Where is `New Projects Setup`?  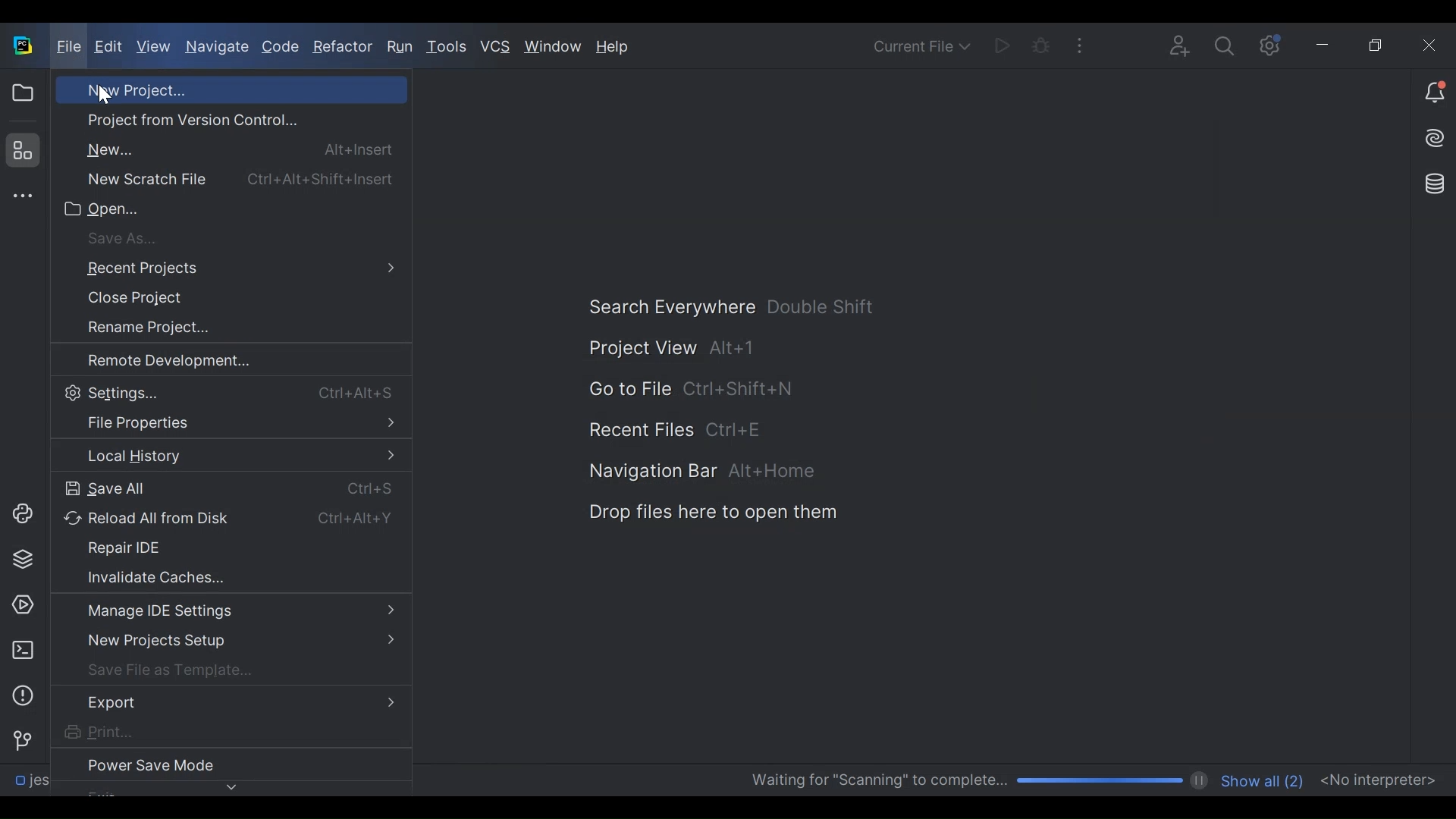 New Projects Setup is located at coordinates (227, 641).